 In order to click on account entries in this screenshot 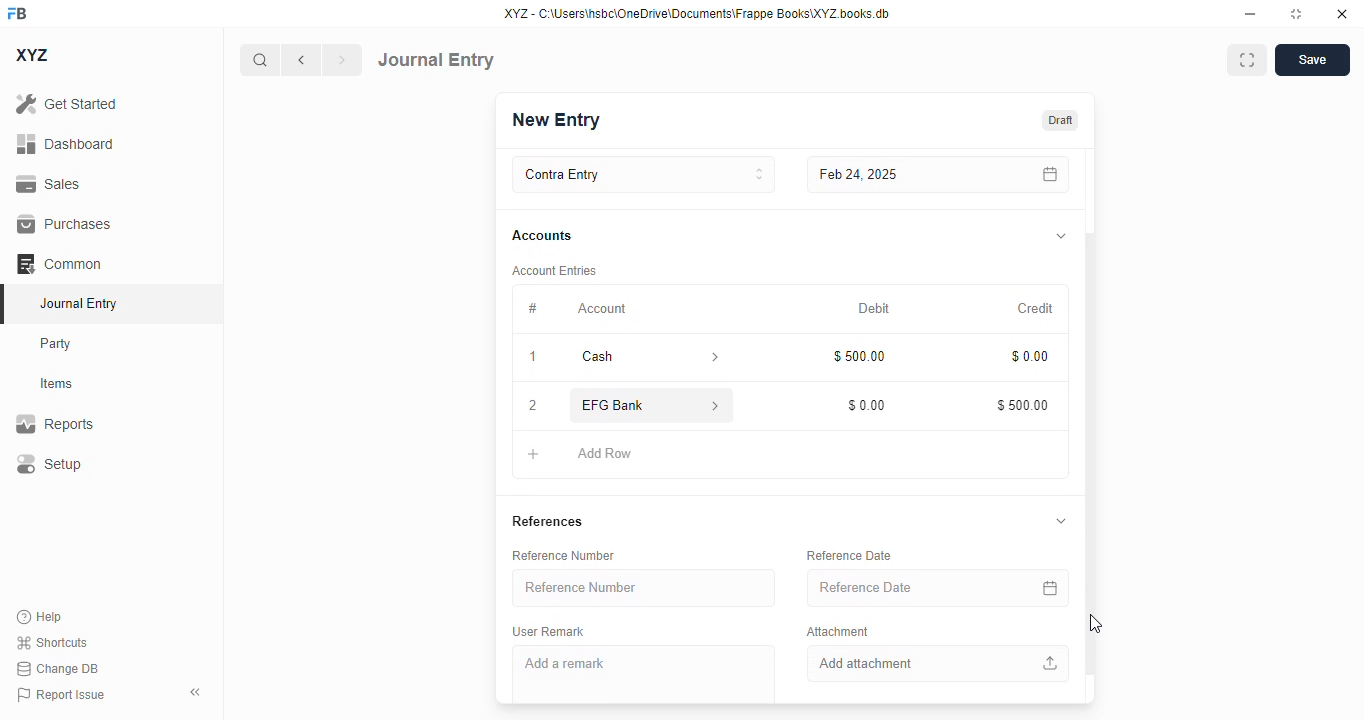, I will do `click(553, 271)`.